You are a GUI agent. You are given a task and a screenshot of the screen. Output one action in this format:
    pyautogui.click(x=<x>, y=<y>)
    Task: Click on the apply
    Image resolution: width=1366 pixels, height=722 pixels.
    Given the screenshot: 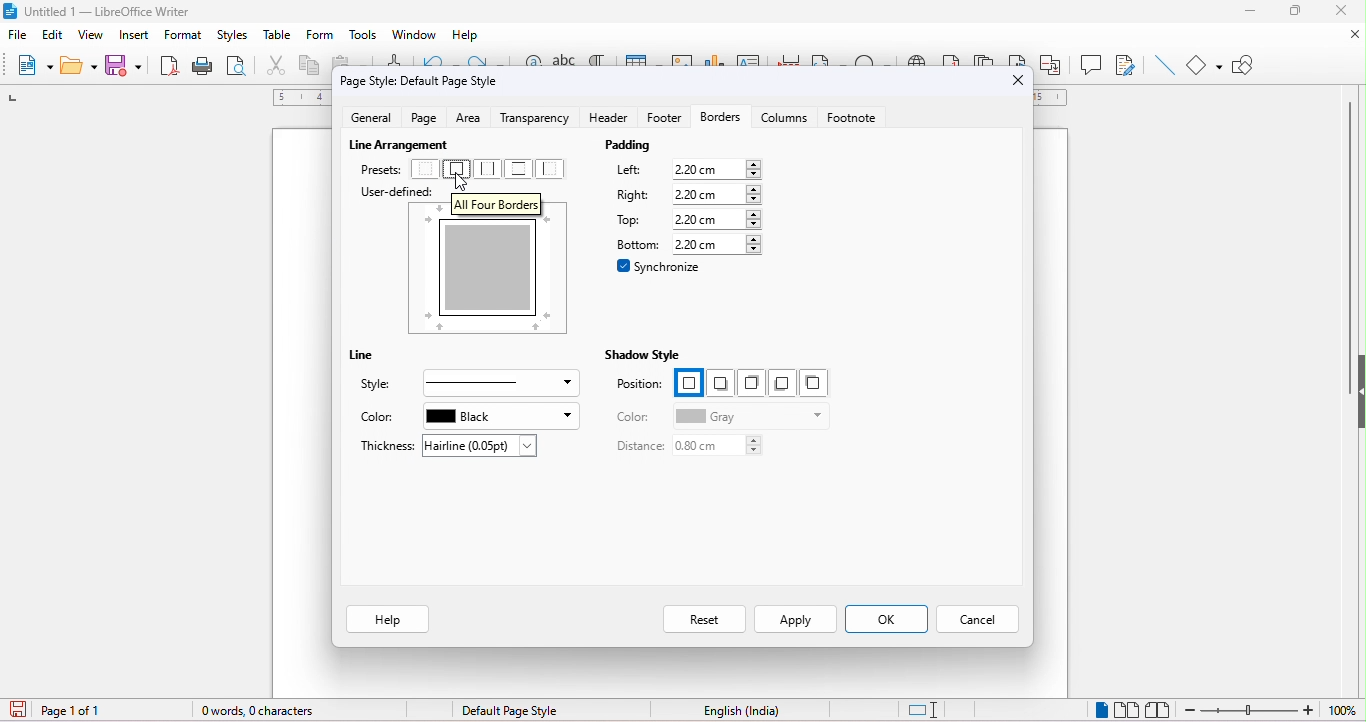 What is the action you would take?
    pyautogui.click(x=795, y=619)
    